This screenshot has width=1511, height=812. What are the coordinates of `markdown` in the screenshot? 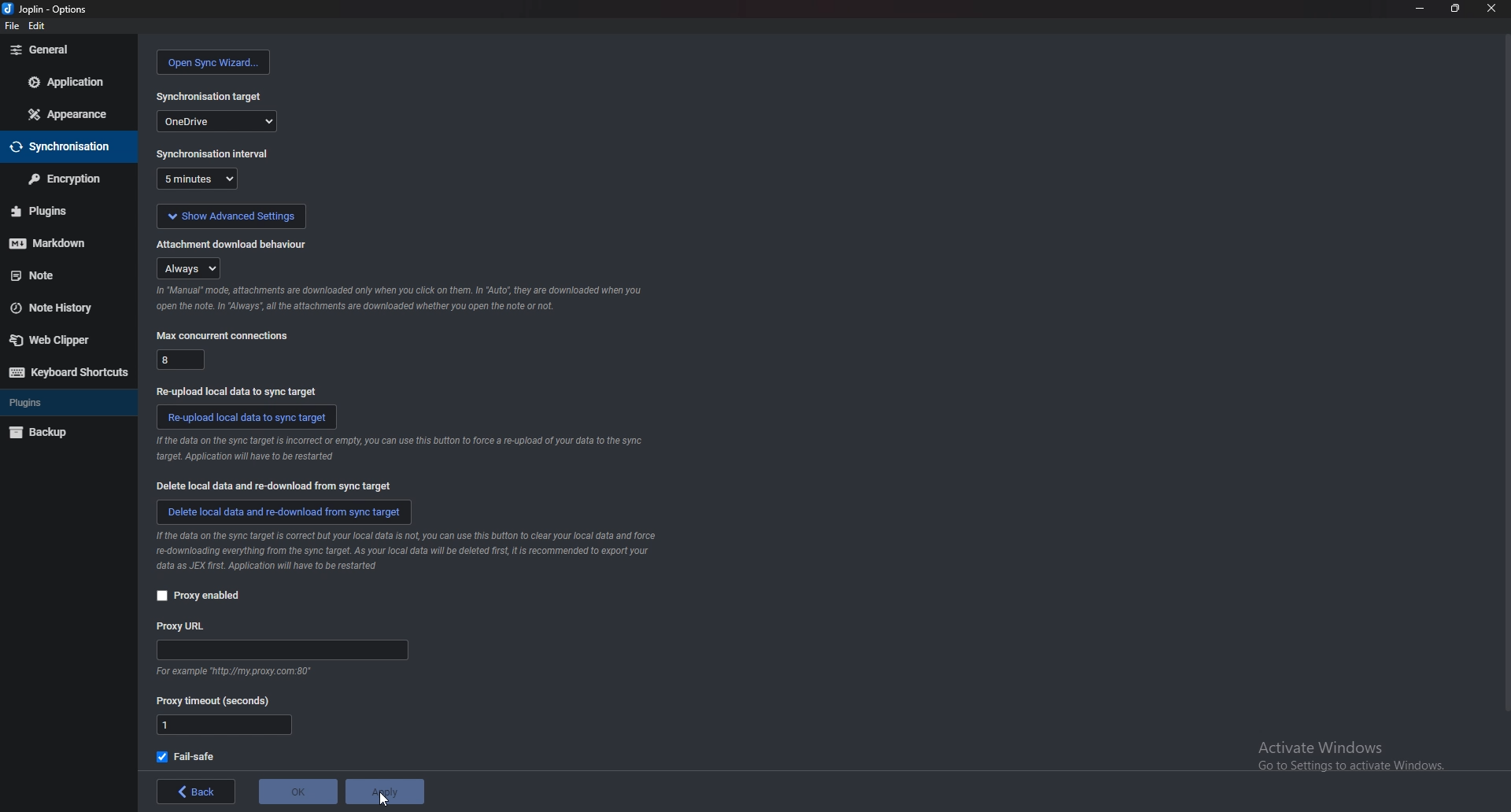 It's located at (61, 244).